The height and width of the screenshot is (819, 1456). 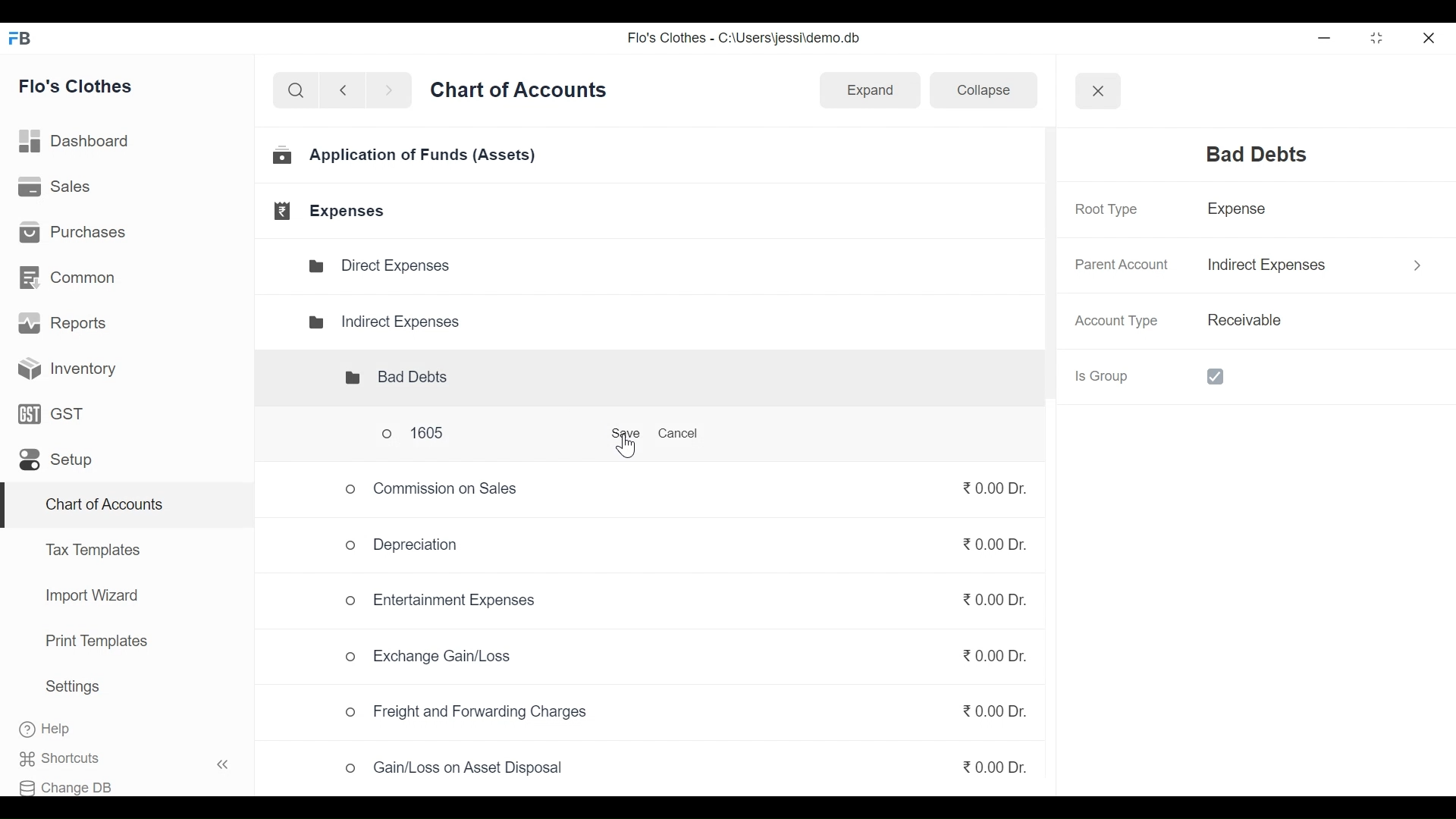 I want to click on Root Type, so click(x=1104, y=209).